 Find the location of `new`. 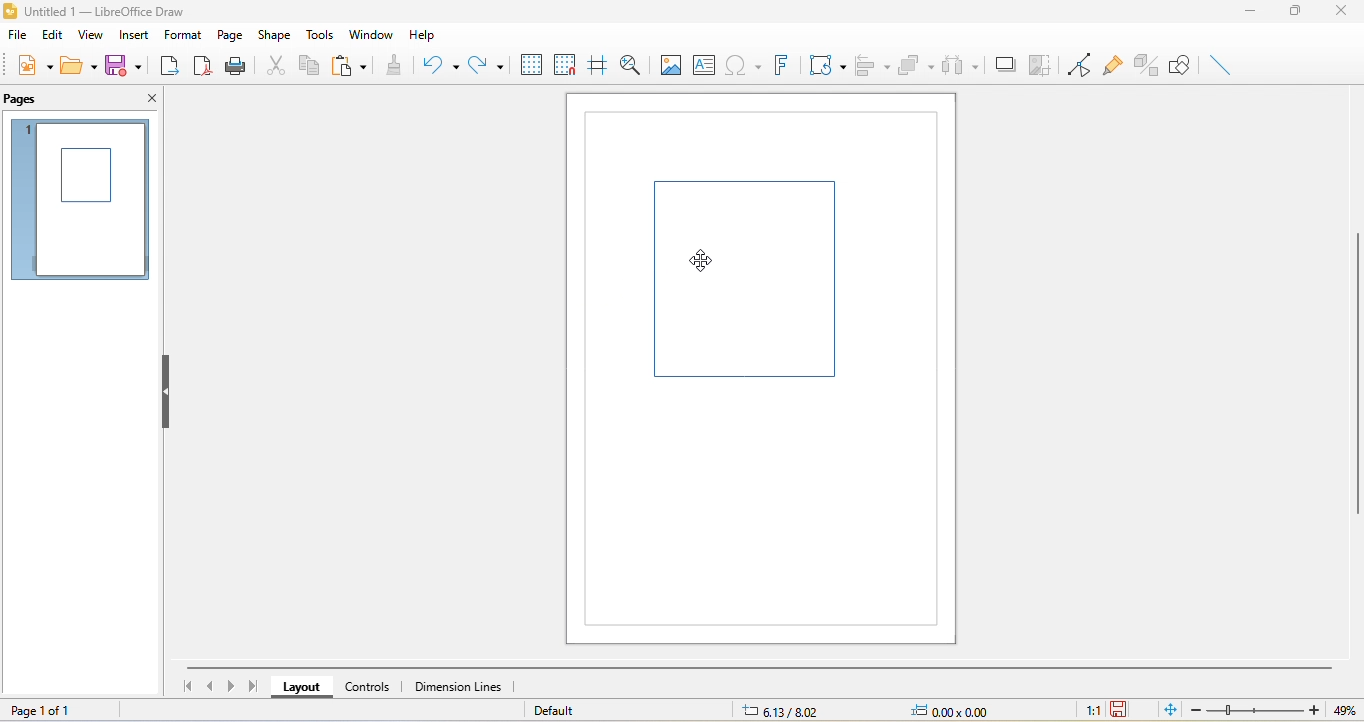

new is located at coordinates (31, 65).